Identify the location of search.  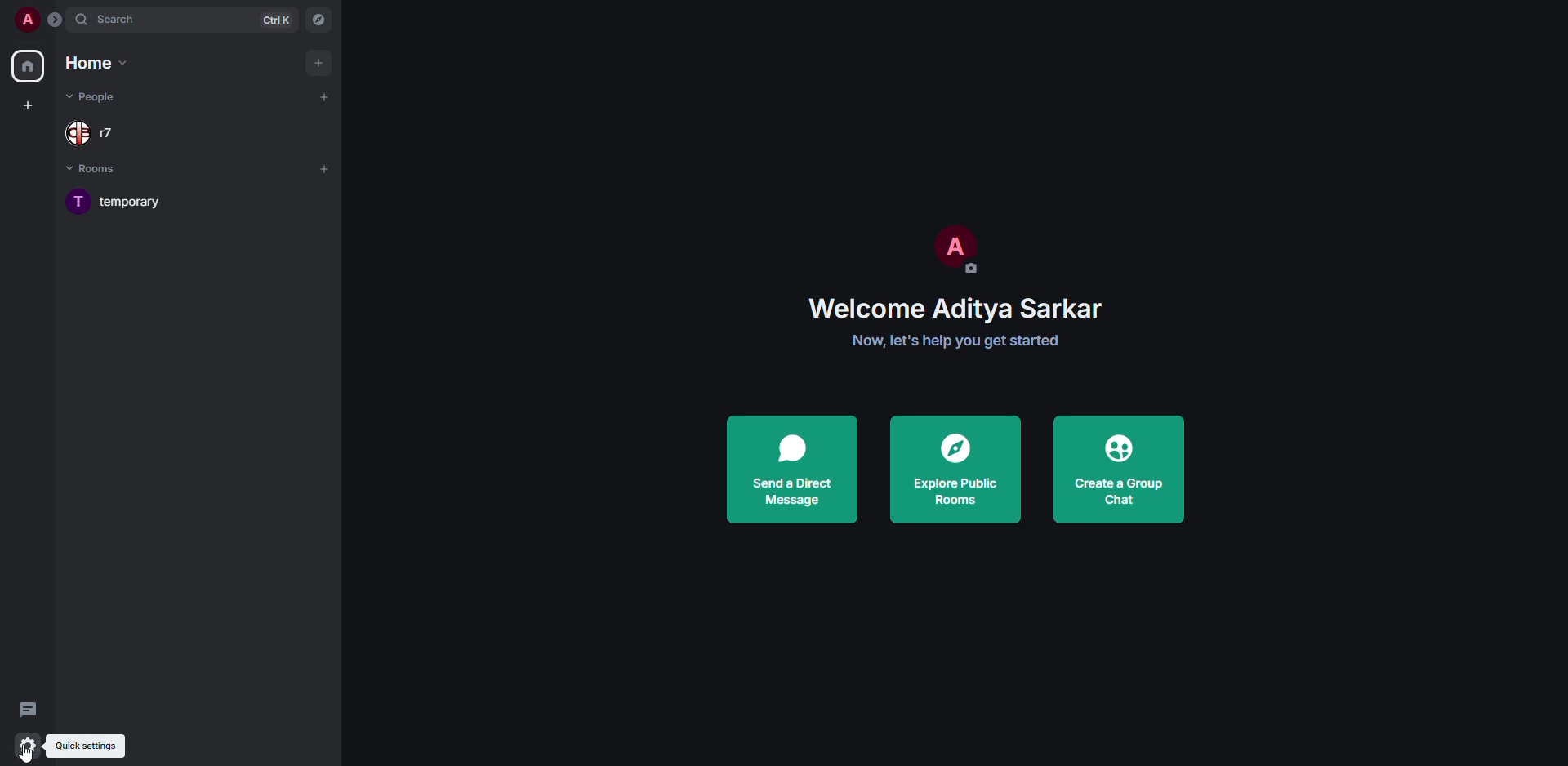
(113, 19).